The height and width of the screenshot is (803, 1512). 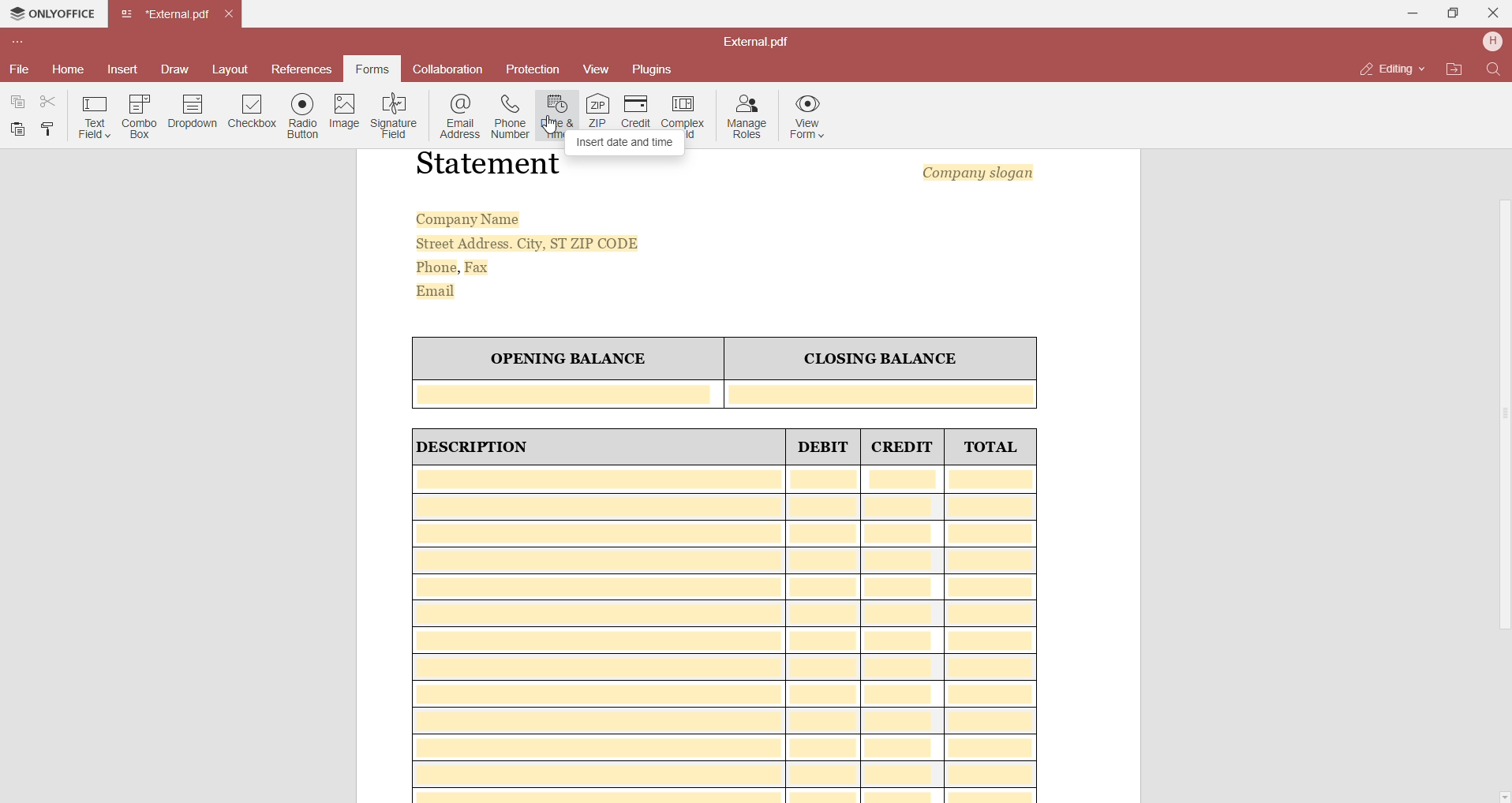 I want to click on Date and time, so click(x=556, y=118).